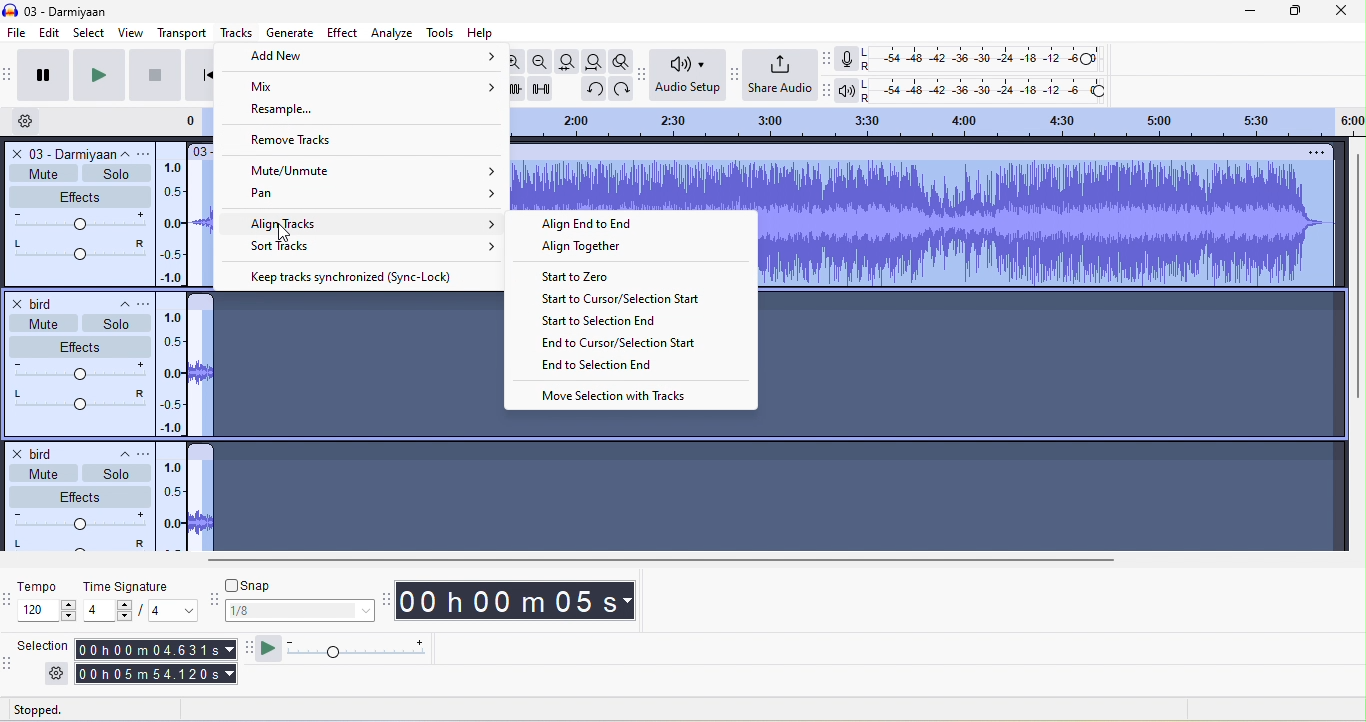 The height and width of the screenshot is (722, 1366). Describe the element at coordinates (388, 598) in the screenshot. I see `audacity time toolbar` at that location.